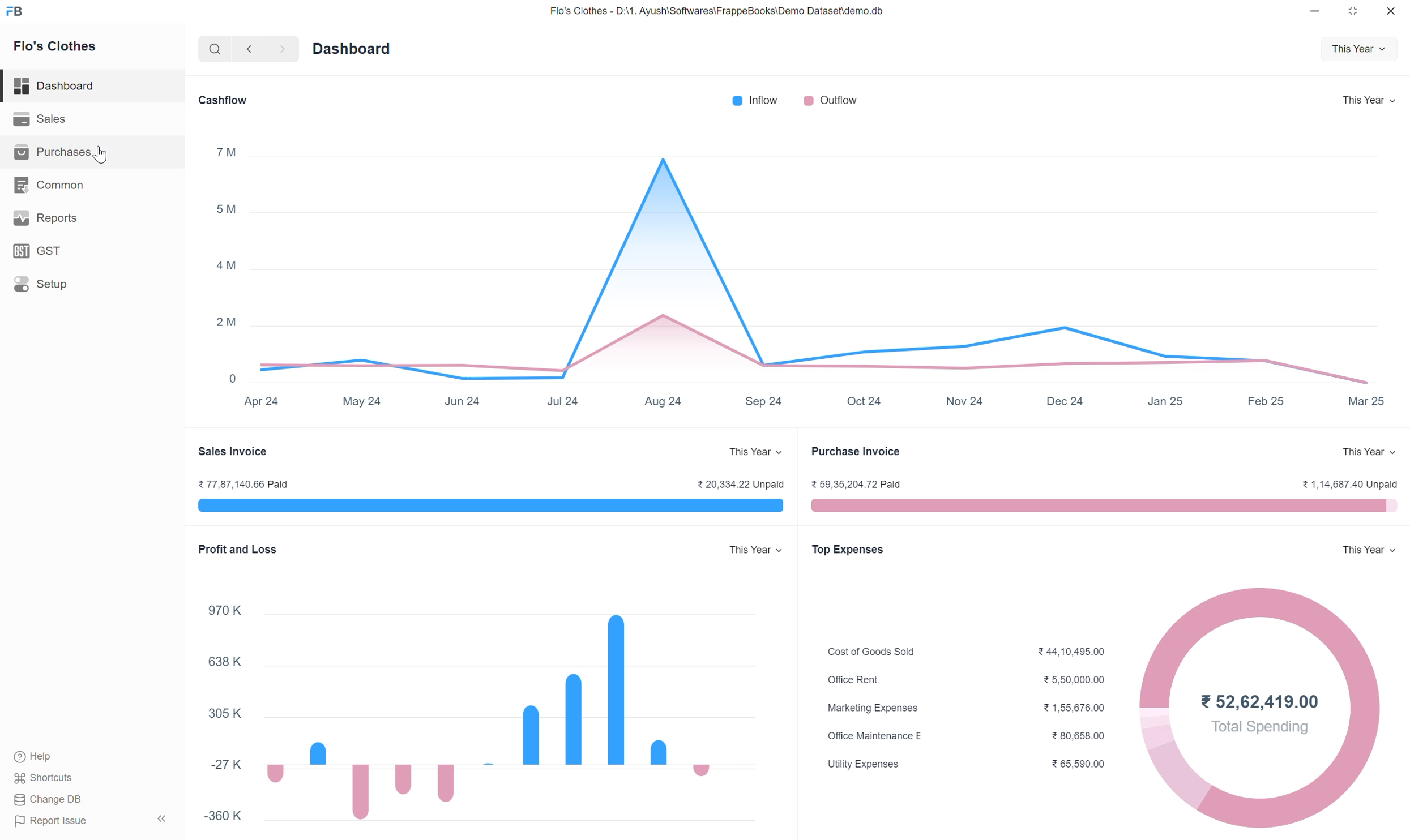  Describe the element at coordinates (565, 402) in the screenshot. I see `jul 24` at that location.